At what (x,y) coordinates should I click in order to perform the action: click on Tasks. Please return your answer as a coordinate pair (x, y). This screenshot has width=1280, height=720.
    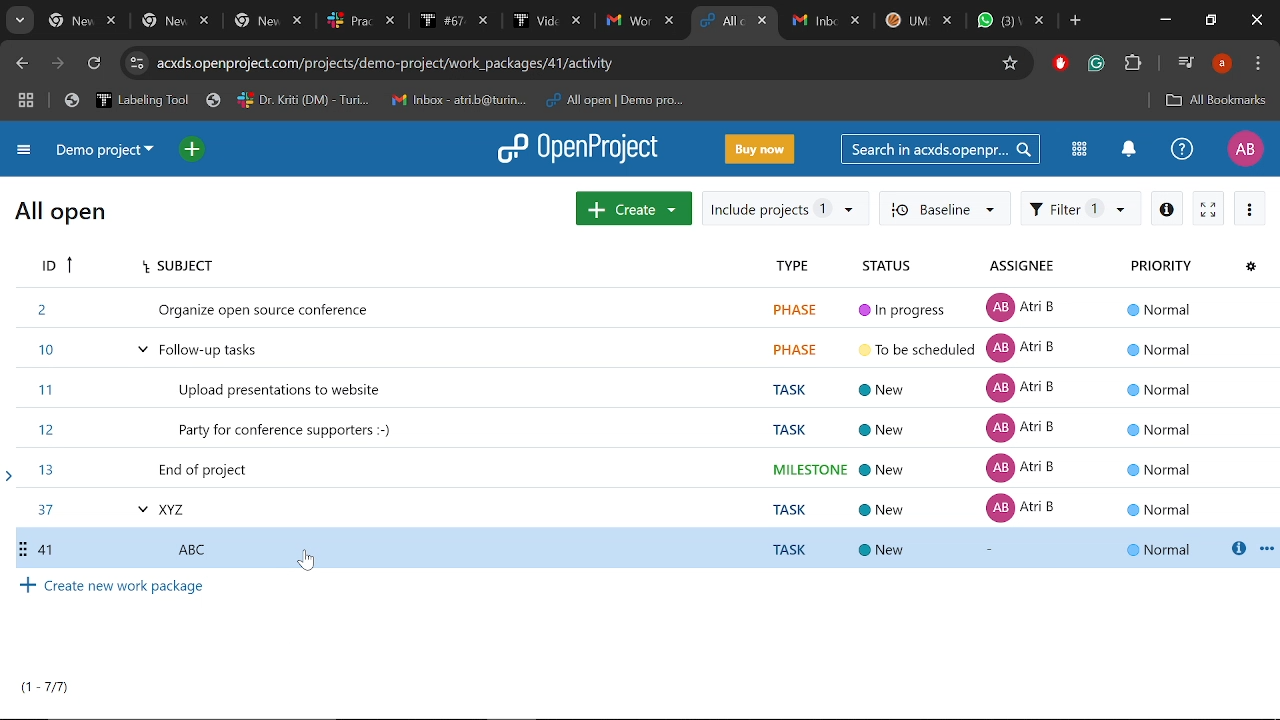
    Looking at the image, I should click on (642, 408).